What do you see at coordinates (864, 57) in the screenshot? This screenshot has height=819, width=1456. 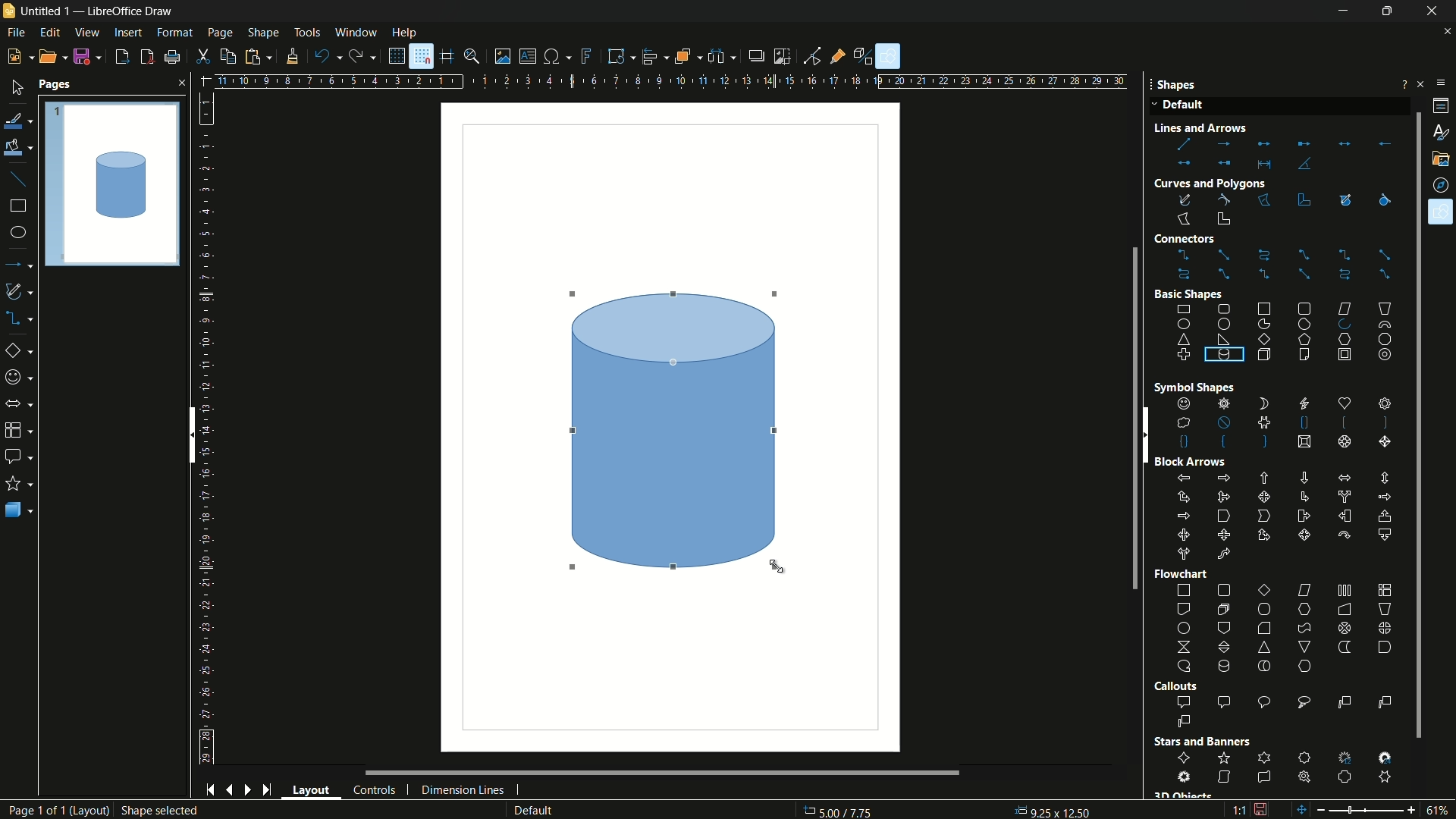 I see `toggle extrusion` at bounding box center [864, 57].